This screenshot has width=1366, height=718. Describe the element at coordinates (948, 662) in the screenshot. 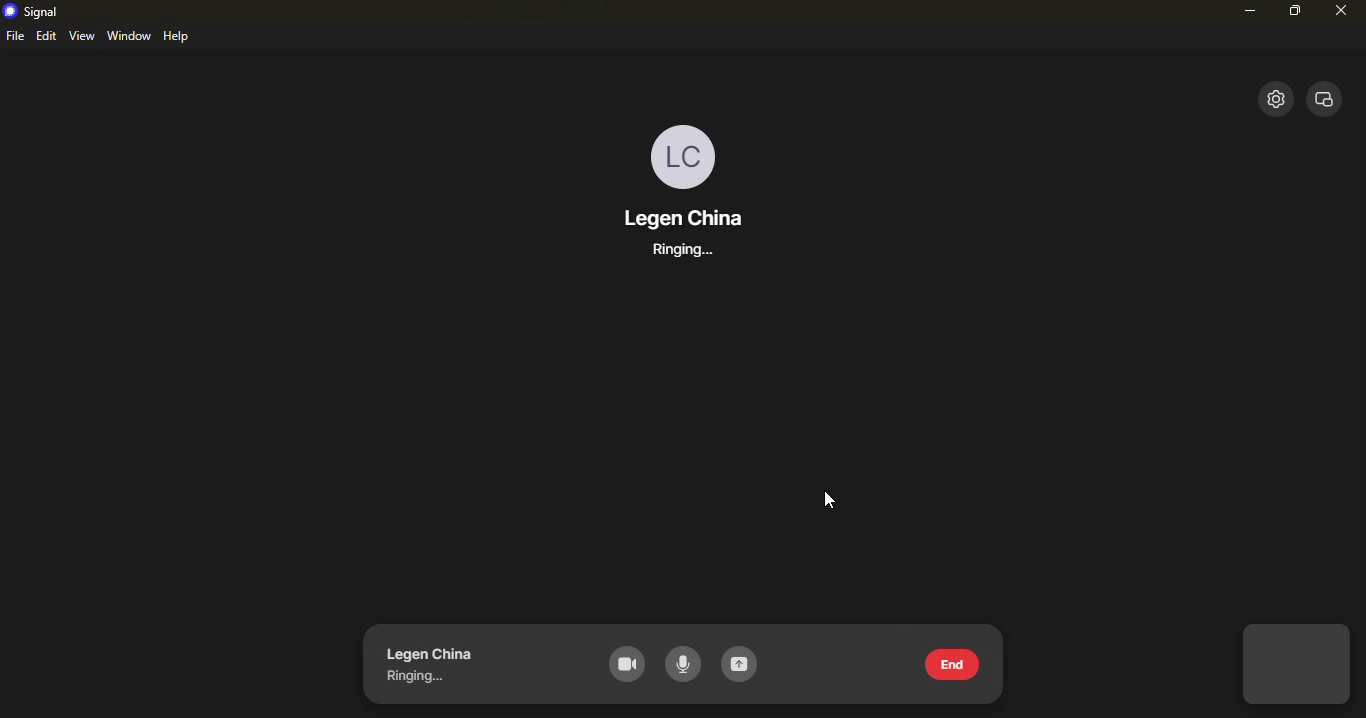

I see `end` at that location.